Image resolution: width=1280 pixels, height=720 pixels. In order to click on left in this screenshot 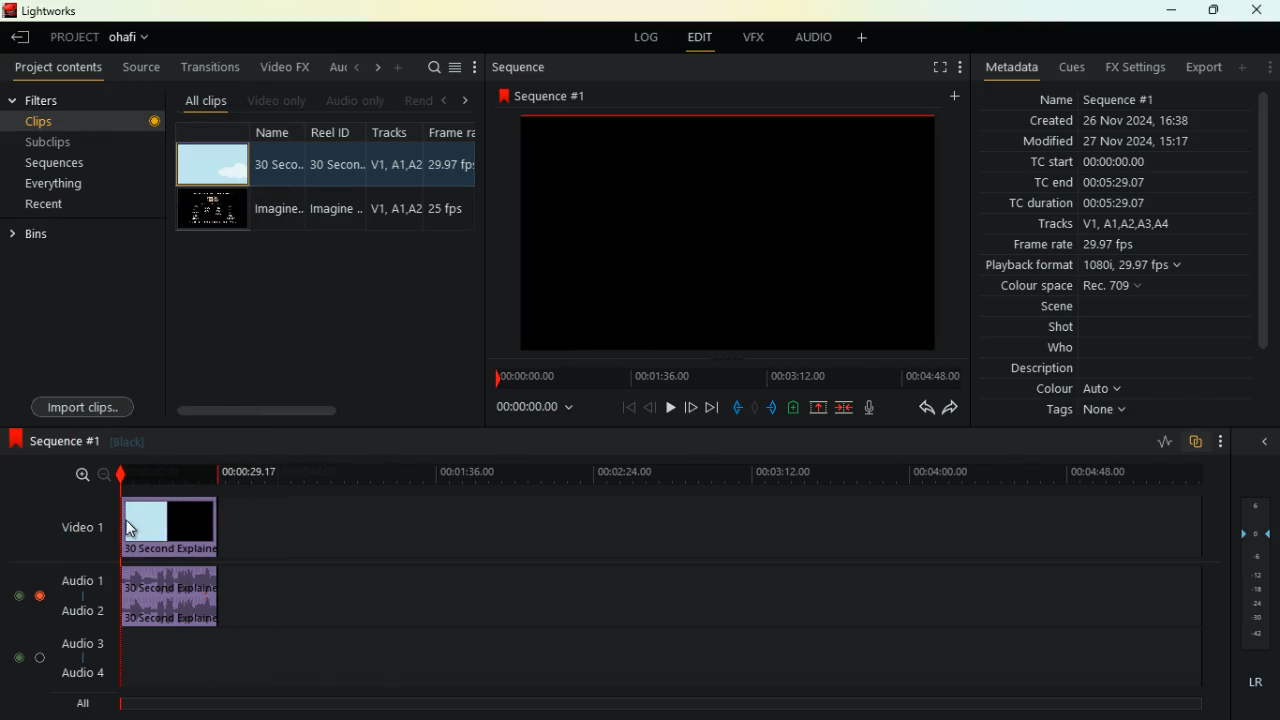, I will do `click(446, 100)`.